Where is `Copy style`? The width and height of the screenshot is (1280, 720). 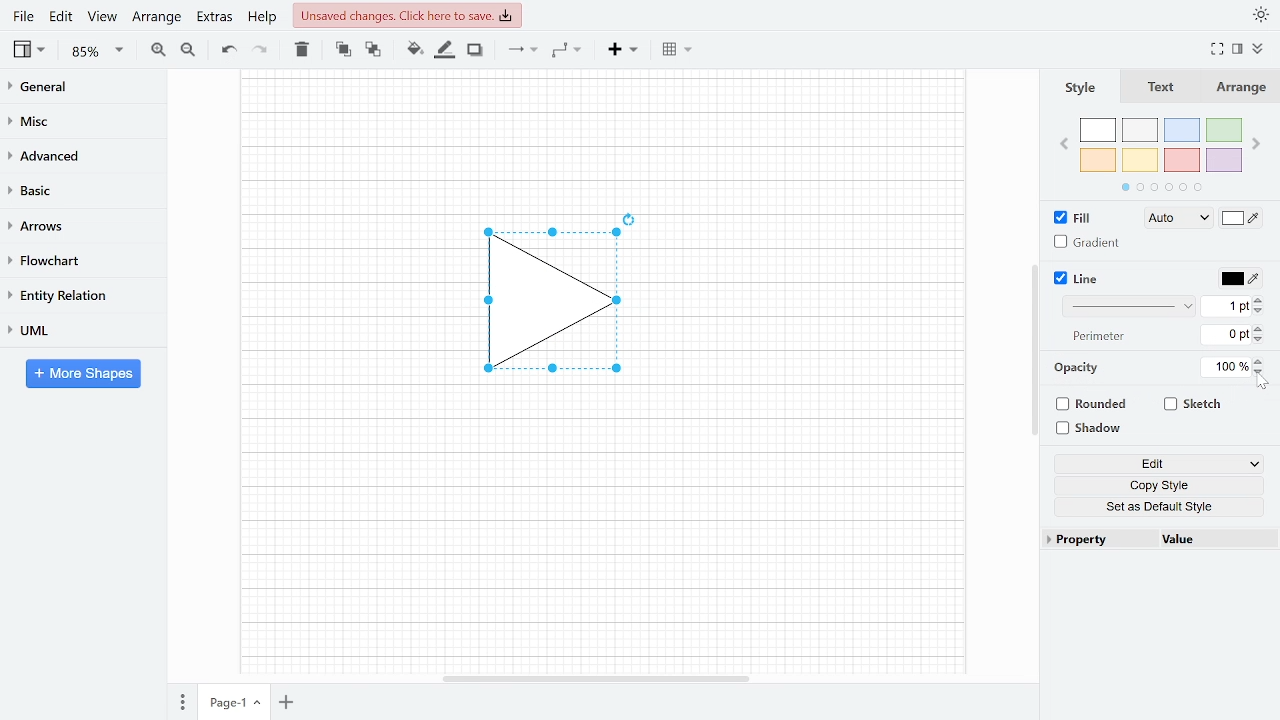 Copy style is located at coordinates (1163, 486).